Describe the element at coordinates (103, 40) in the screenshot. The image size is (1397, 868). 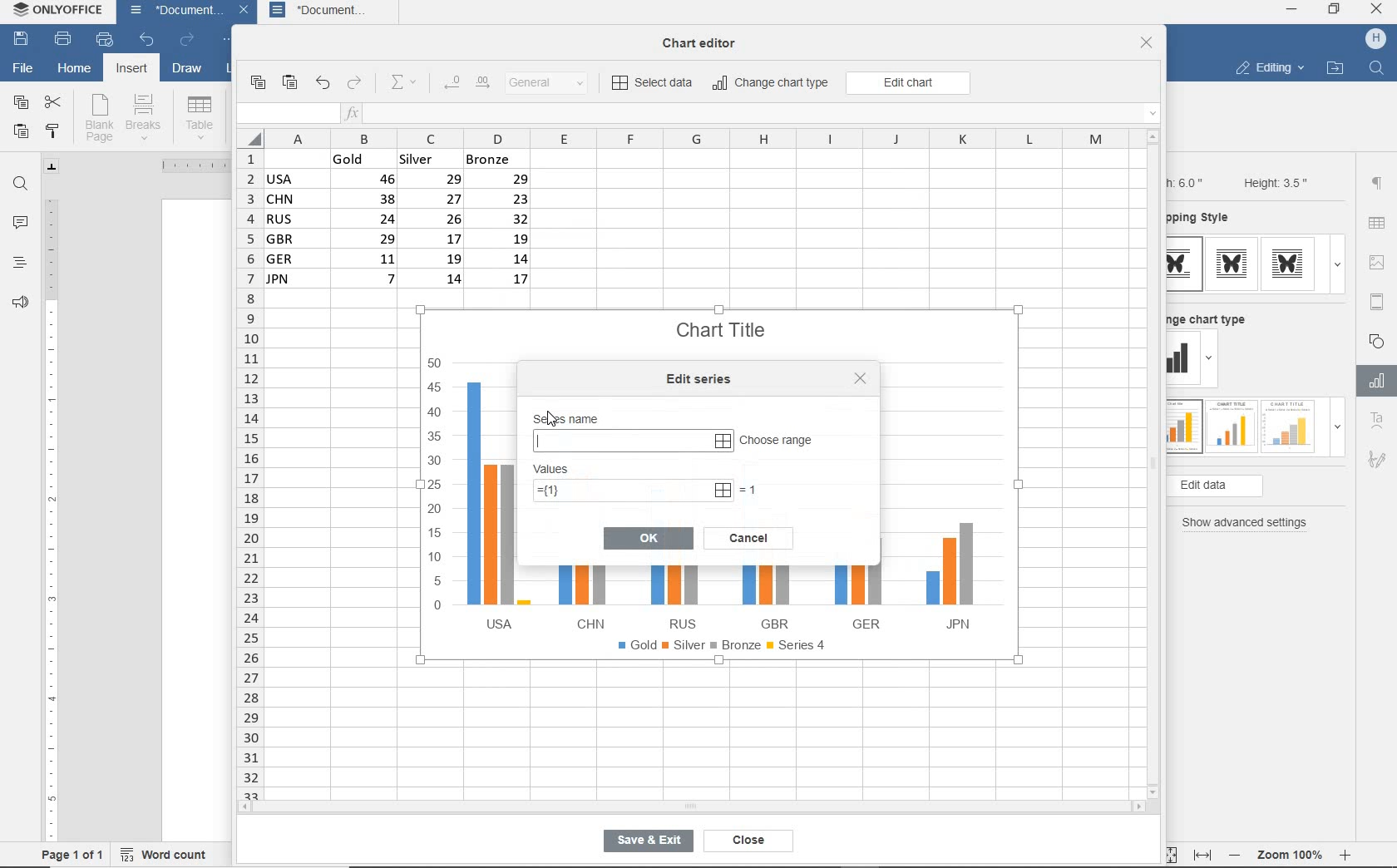
I see `quick print` at that location.